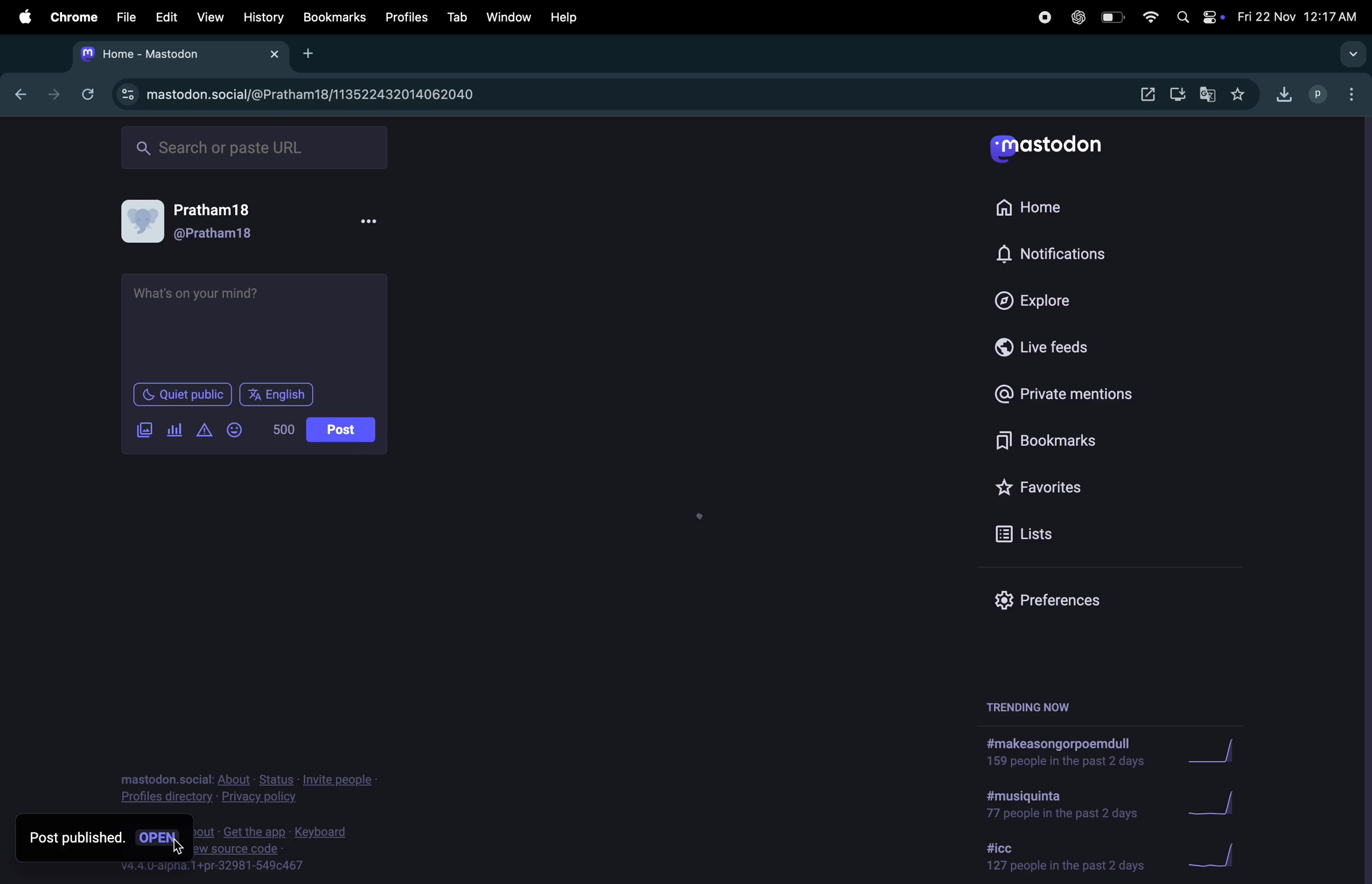  Describe the element at coordinates (1207, 95) in the screenshot. I see `translate` at that location.